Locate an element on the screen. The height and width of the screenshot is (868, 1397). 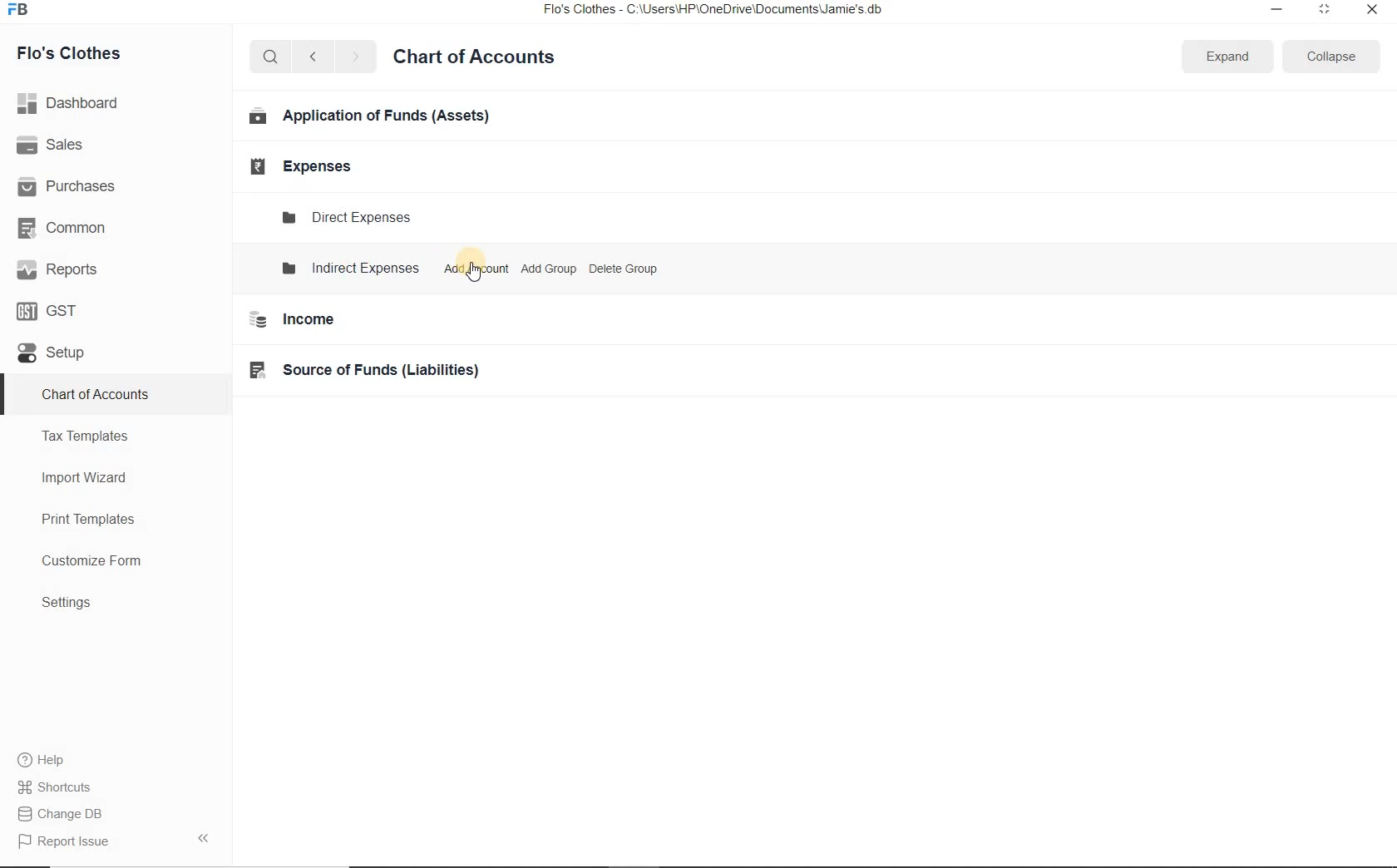
Purchases is located at coordinates (69, 187).